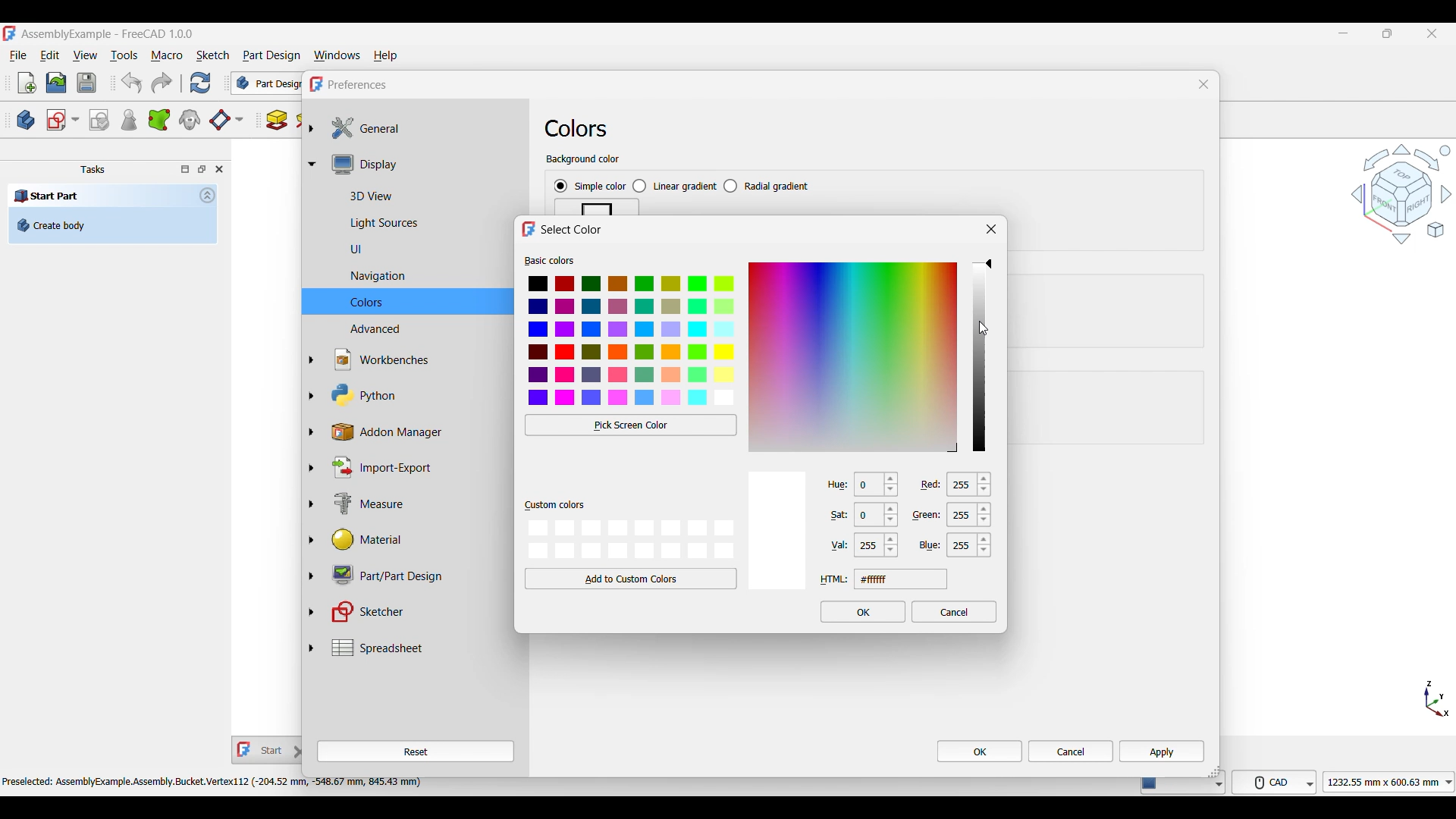  I want to click on Refresh, so click(199, 83).